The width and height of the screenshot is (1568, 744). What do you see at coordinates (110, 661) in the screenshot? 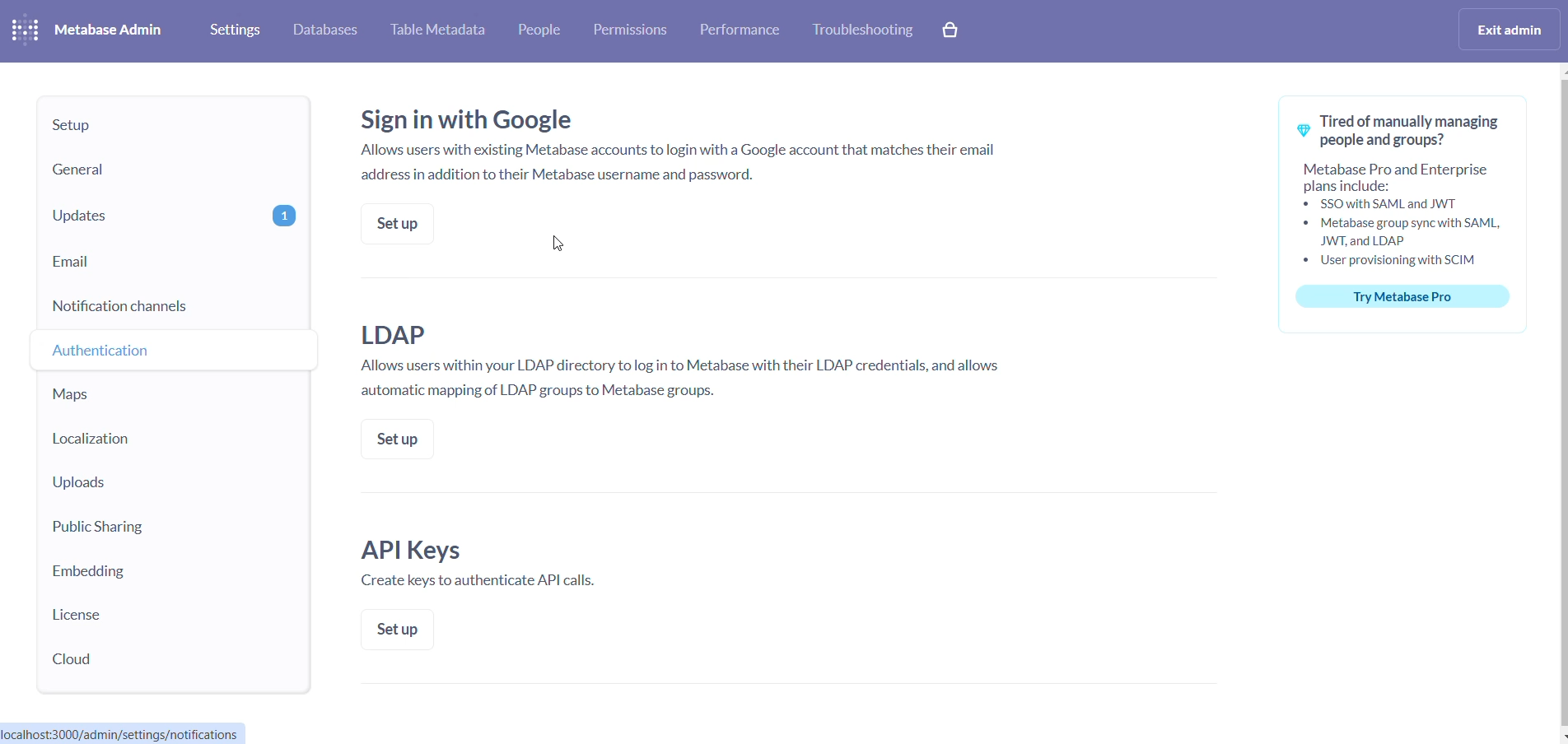
I see `cloud` at bounding box center [110, 661].